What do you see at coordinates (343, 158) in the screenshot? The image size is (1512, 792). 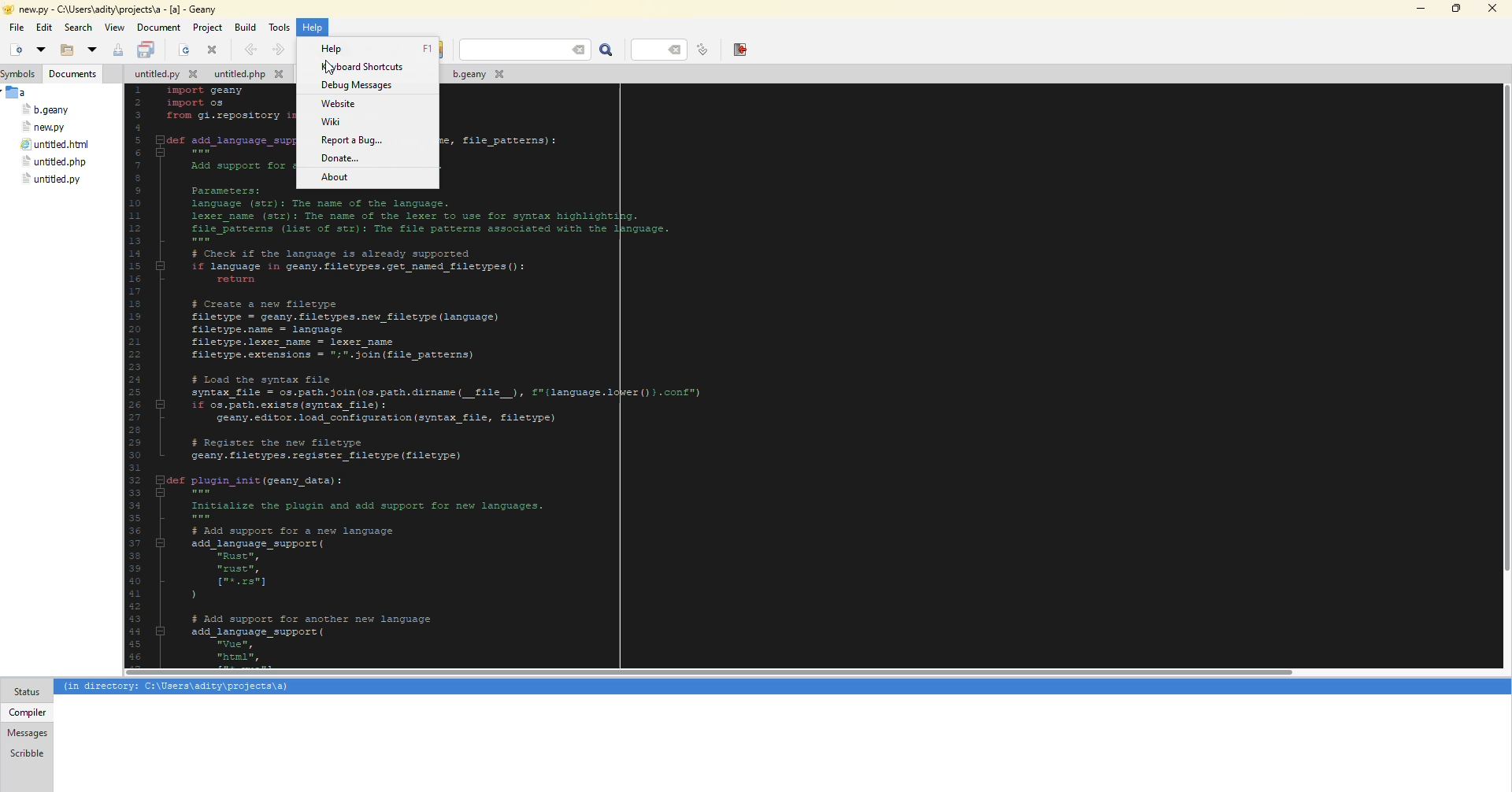 I see `donate` at bounding box center [343, 158].